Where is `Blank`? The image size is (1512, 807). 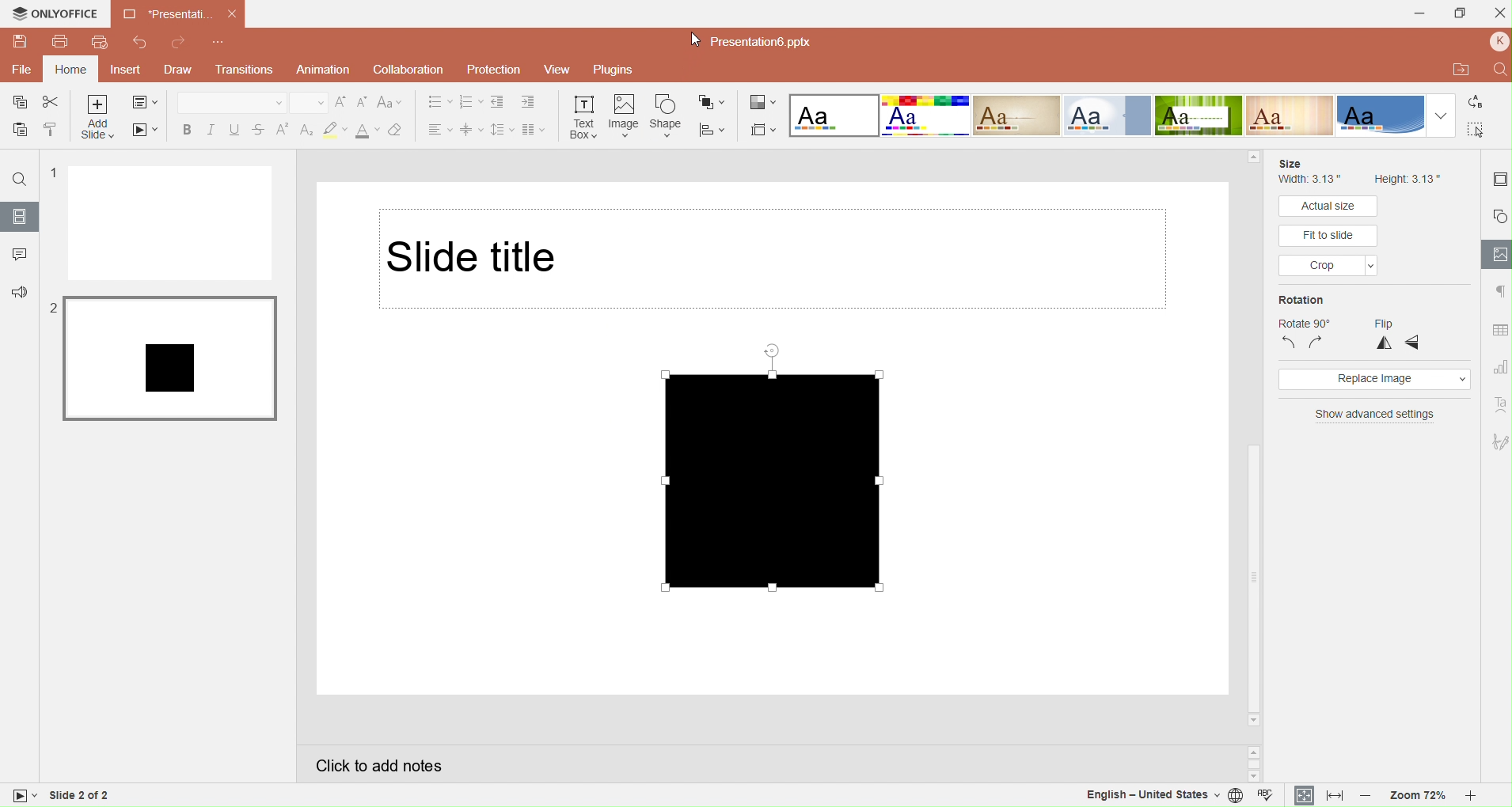 Blank is located at coordinates (834, 116).